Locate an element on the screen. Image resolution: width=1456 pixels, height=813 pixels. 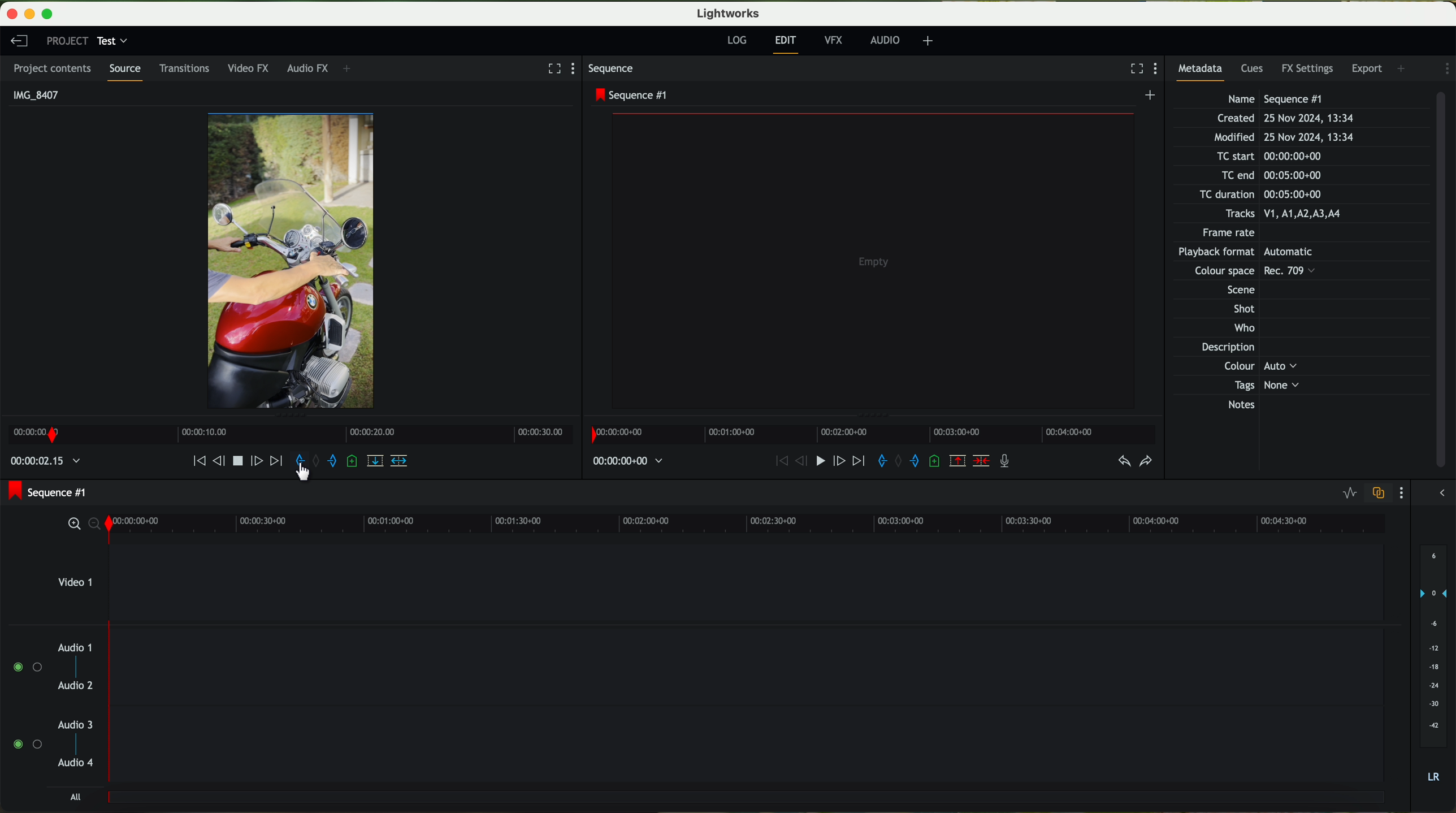
TC end is located at coordinates (1286, 176).